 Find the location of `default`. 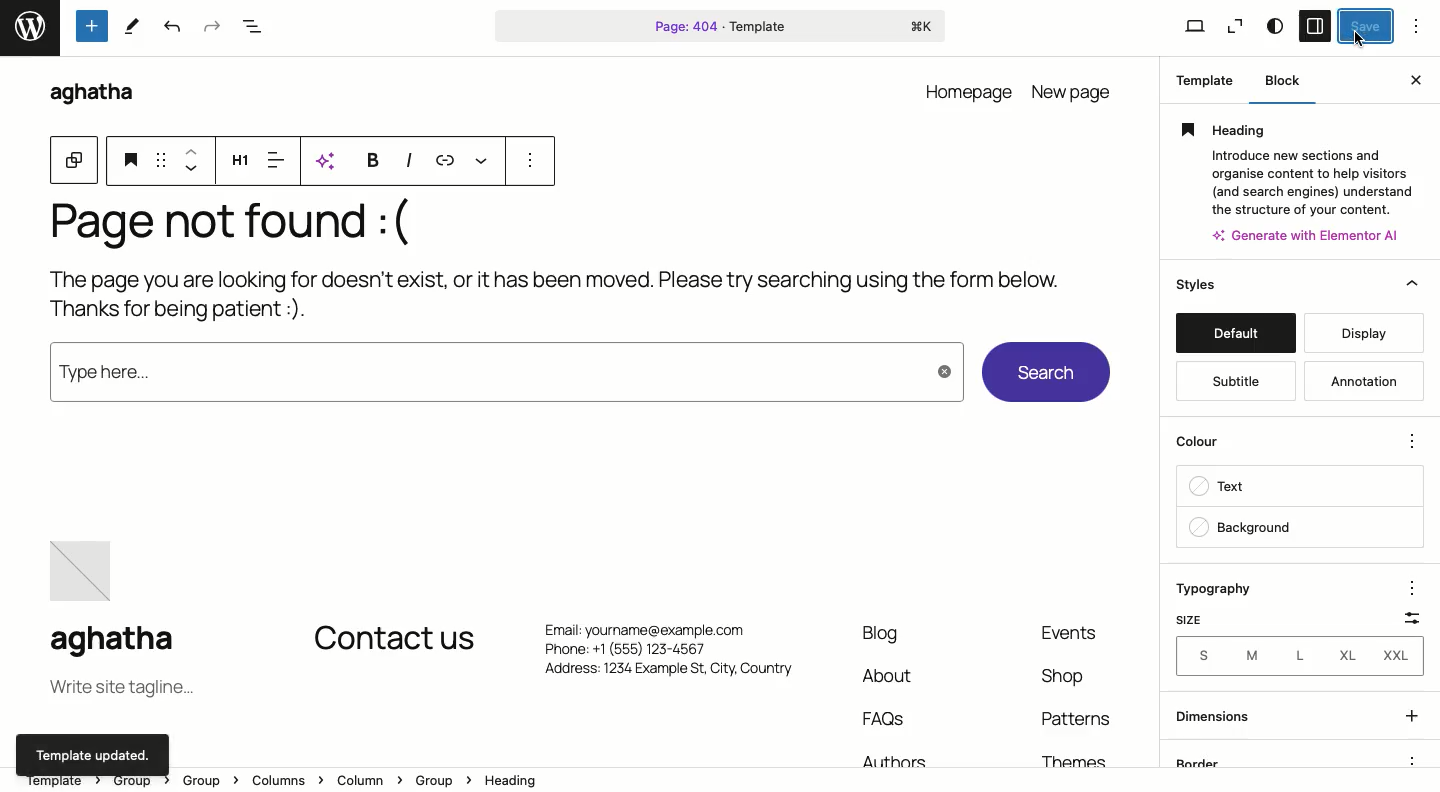

default is located at coordinates (1235, 330).